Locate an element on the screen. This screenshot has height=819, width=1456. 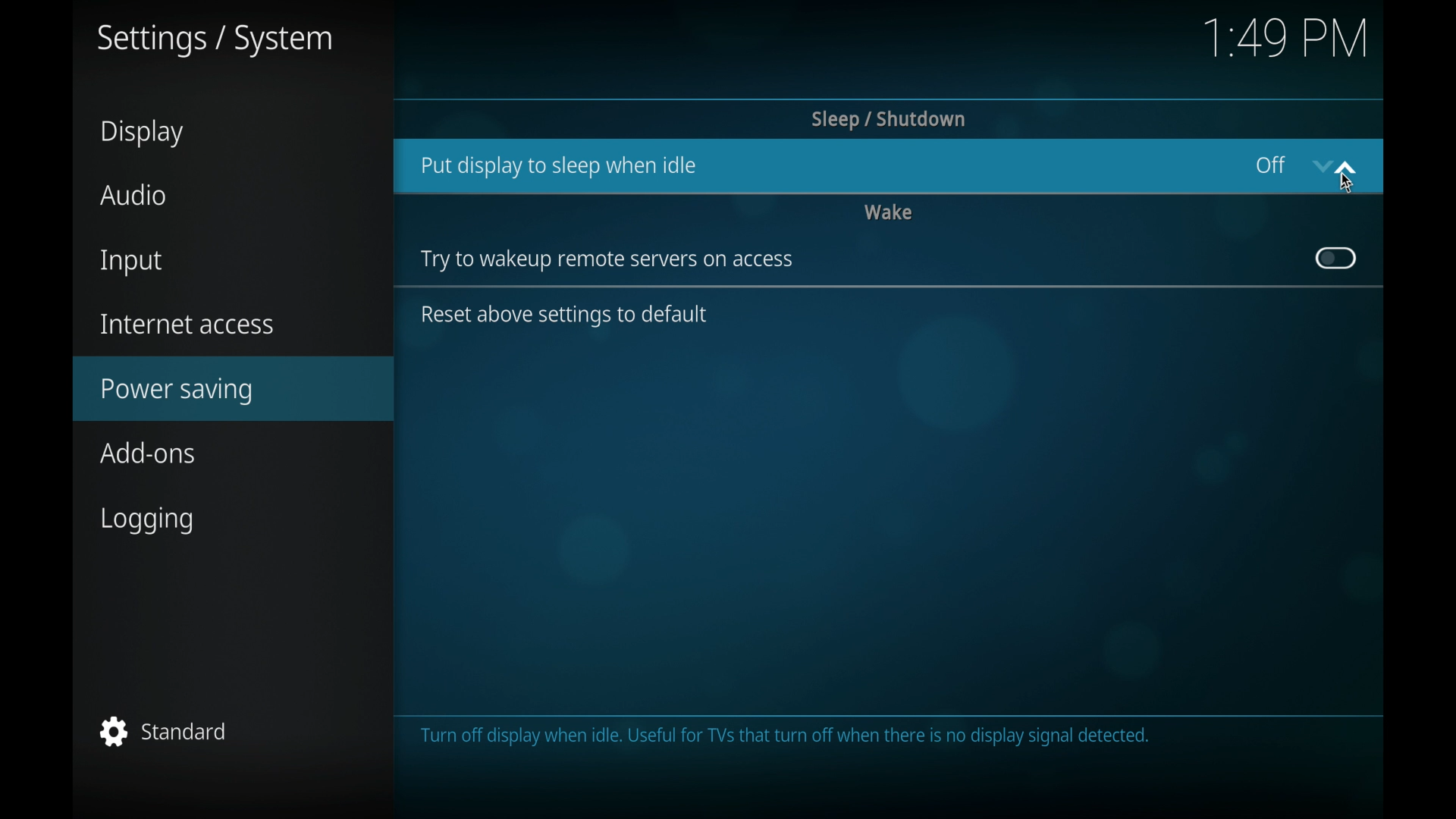
Turn off display when idle. Useful for TVs that turn off when there is no display signal detected. is located at coordinates (788, 739).